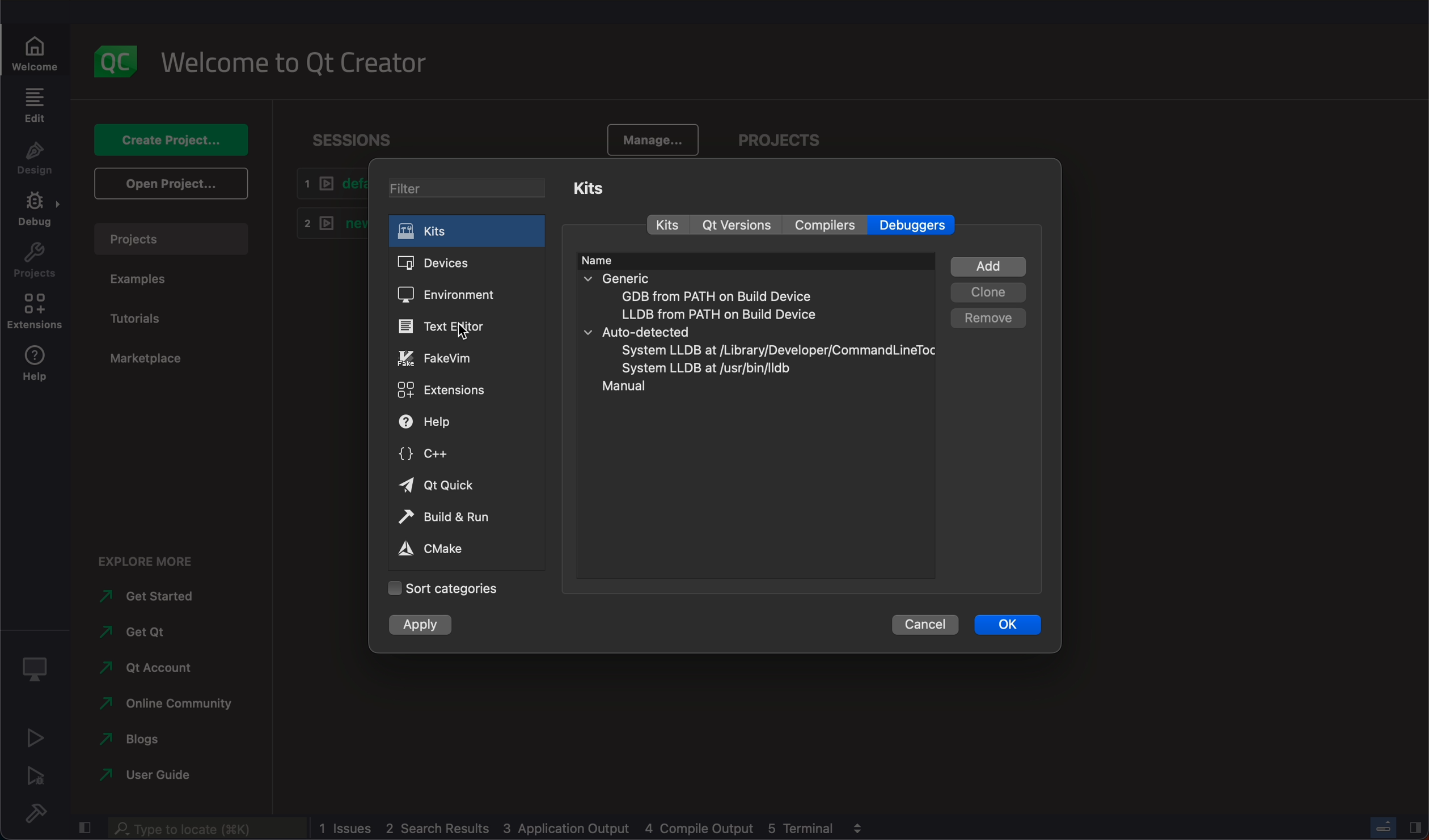  I want to click on manage, so click(649, 136).